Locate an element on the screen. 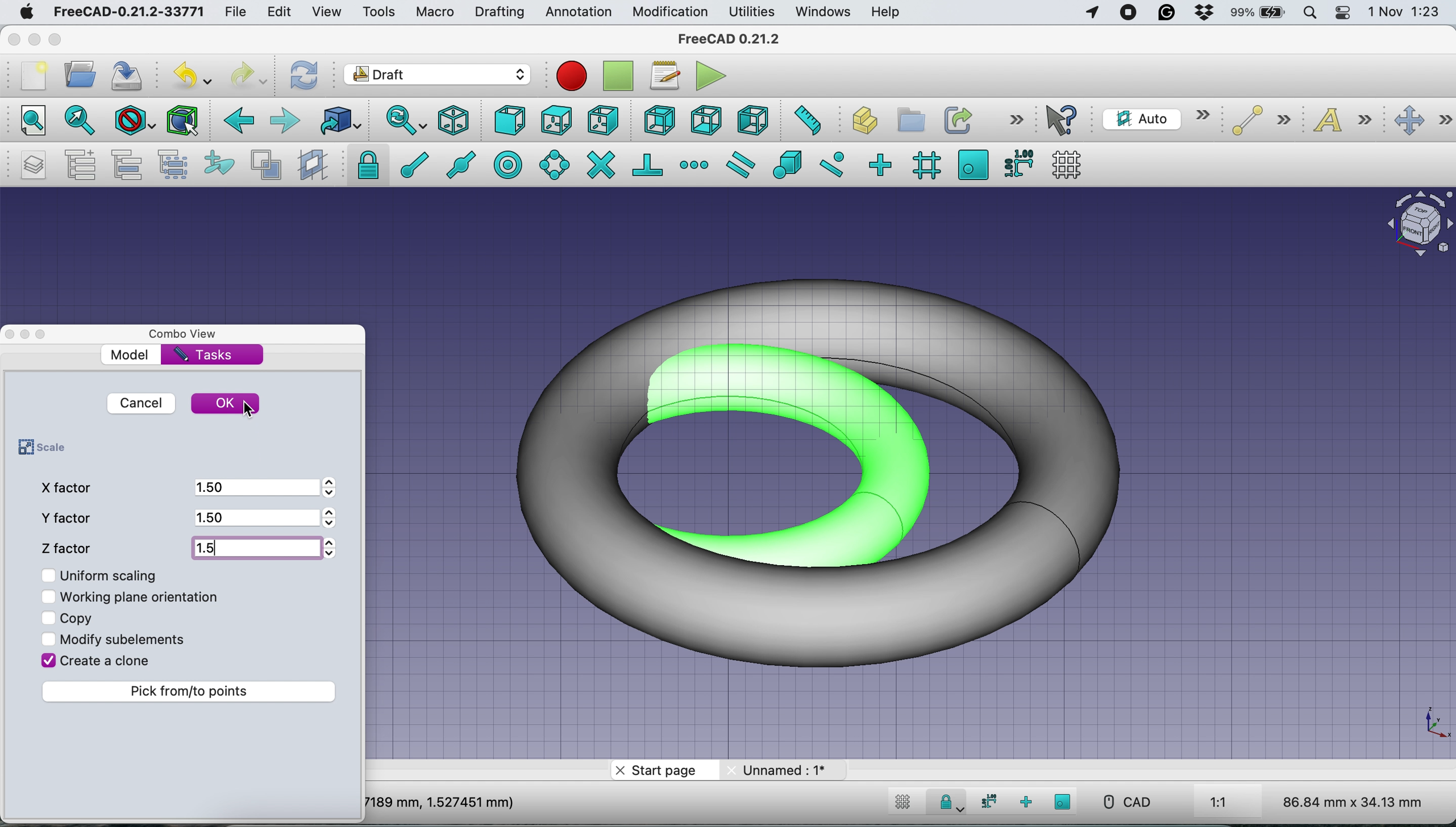 The height and width of the screenshot is (827, 1456). snap angle is located at coordinates (555, 164).